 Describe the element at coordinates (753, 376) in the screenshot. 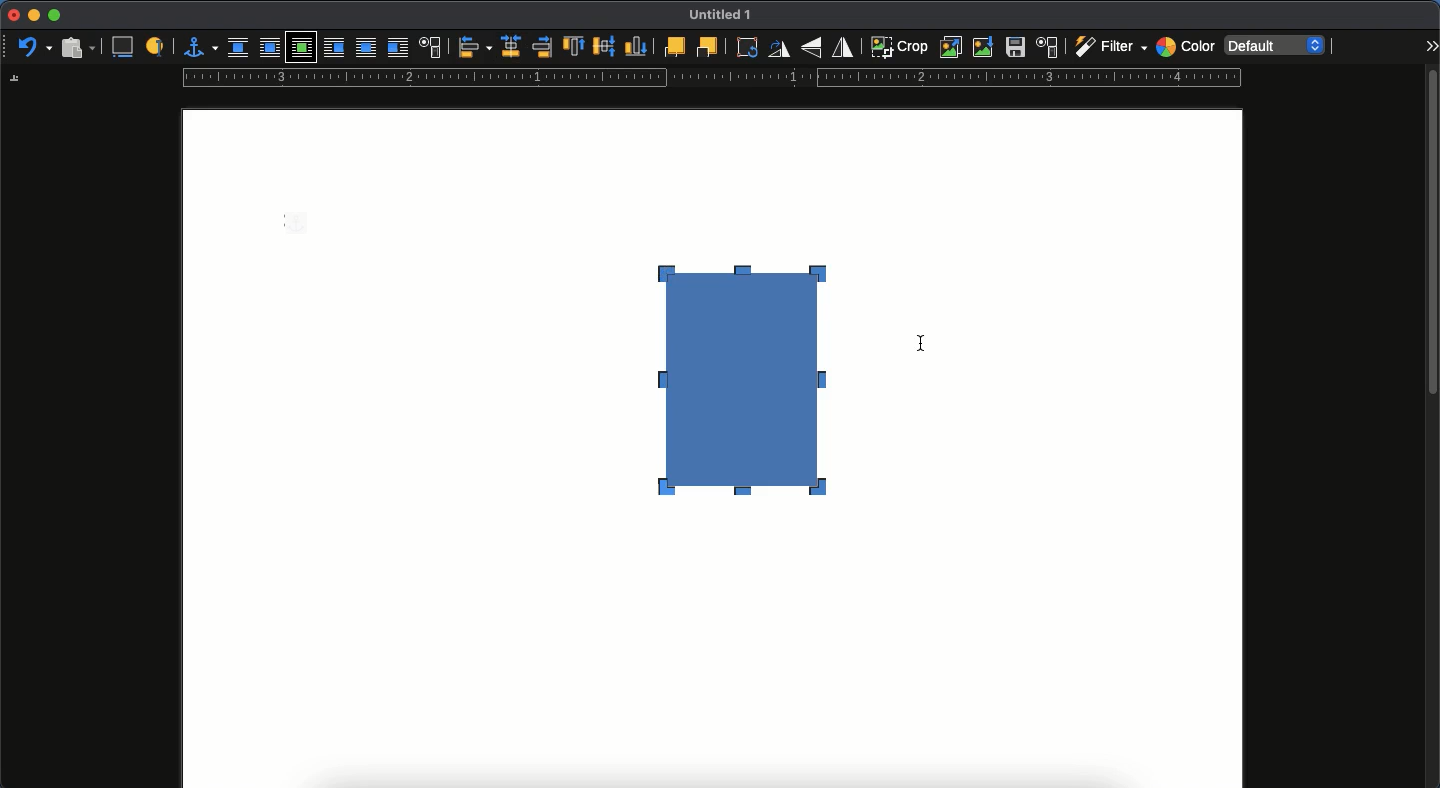

I see `image` at that location.